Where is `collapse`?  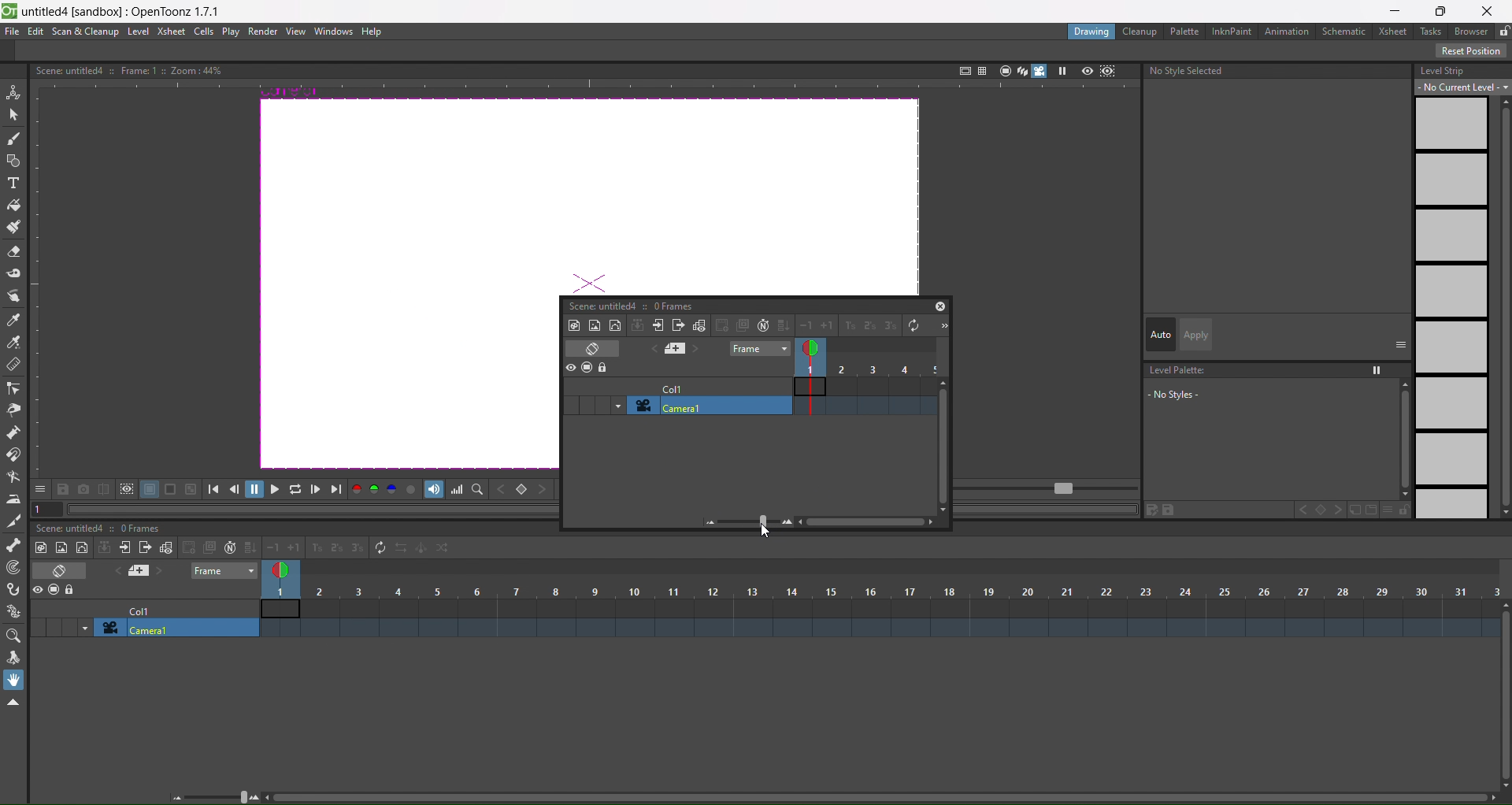 collapse is located at coordinates (105, 547).